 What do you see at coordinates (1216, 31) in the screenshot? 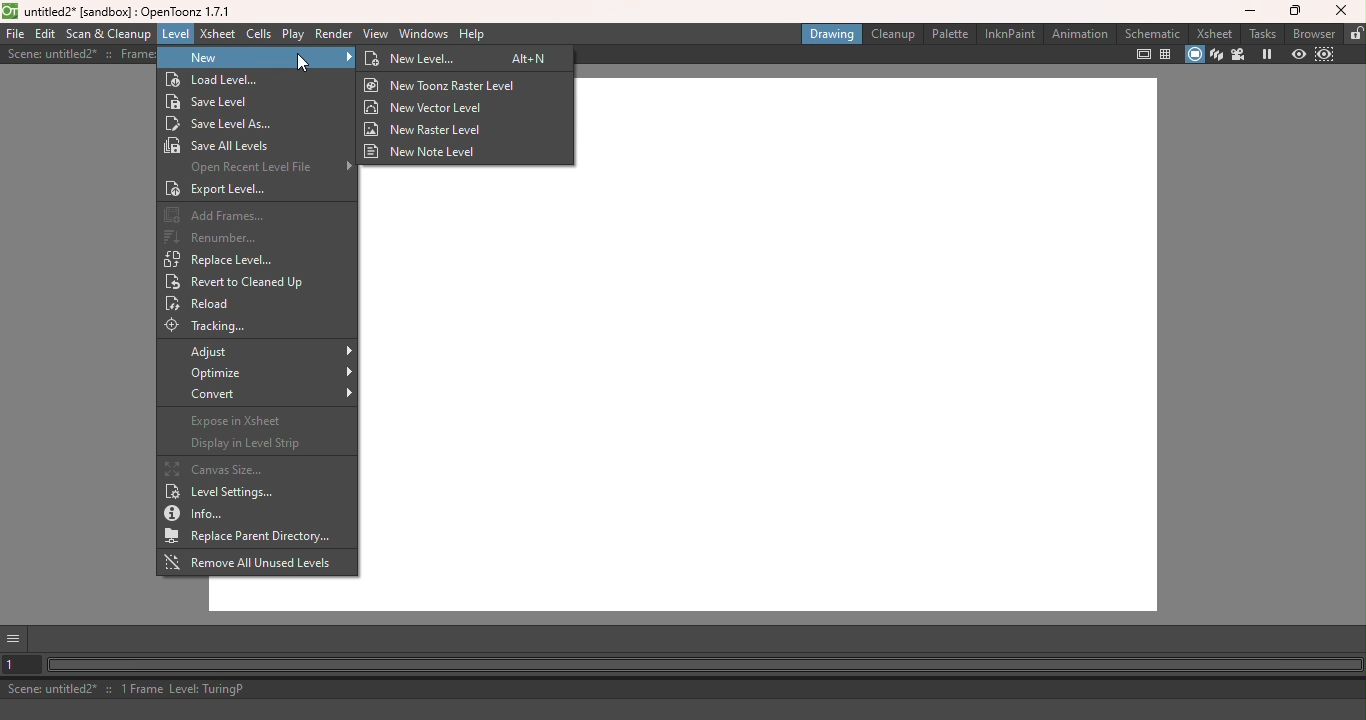
I see `Xsheet` at bounding box center [1216, 31].